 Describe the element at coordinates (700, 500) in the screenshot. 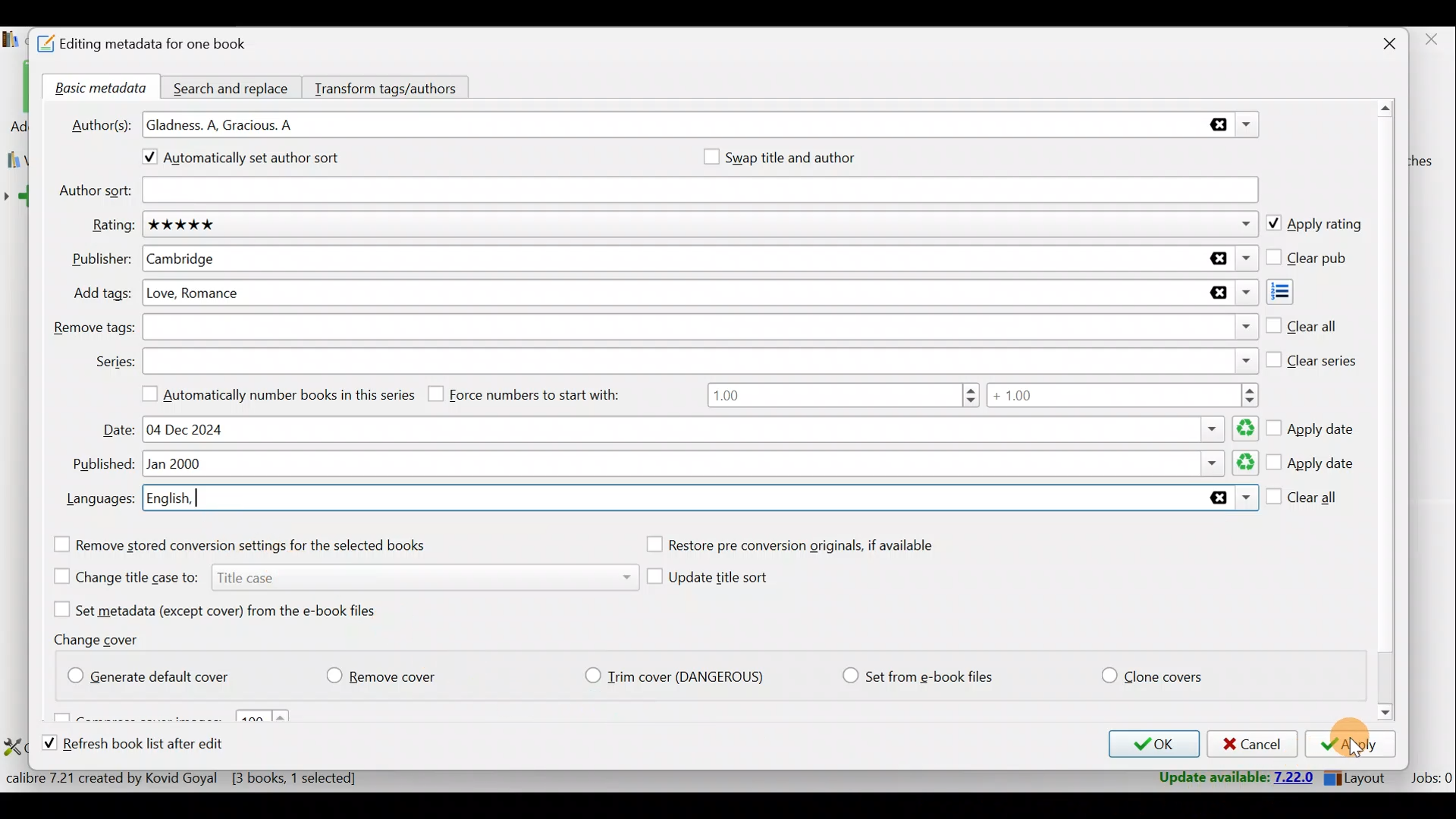

I see `Languages` at that location.